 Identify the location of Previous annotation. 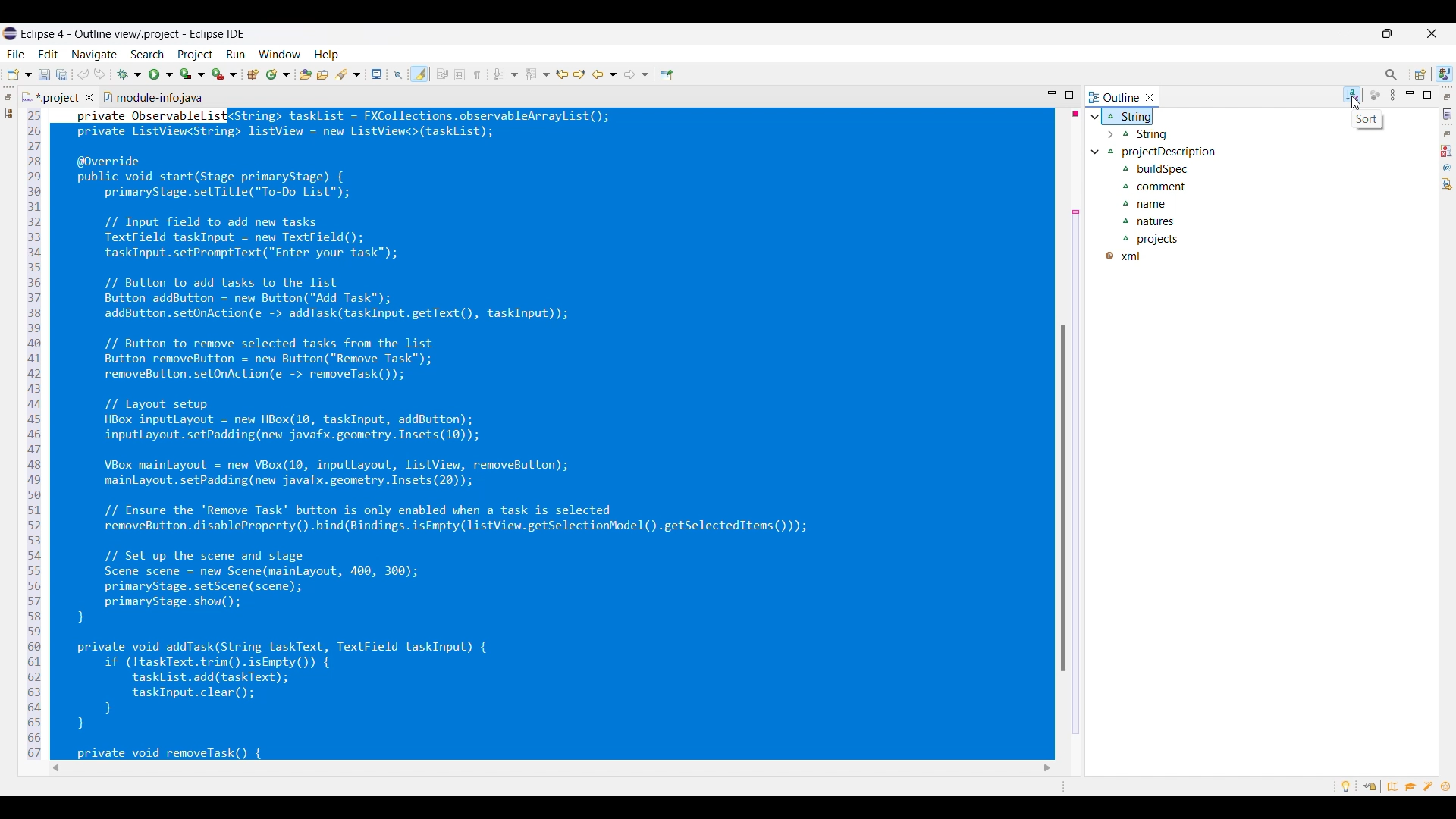
(538, 74).